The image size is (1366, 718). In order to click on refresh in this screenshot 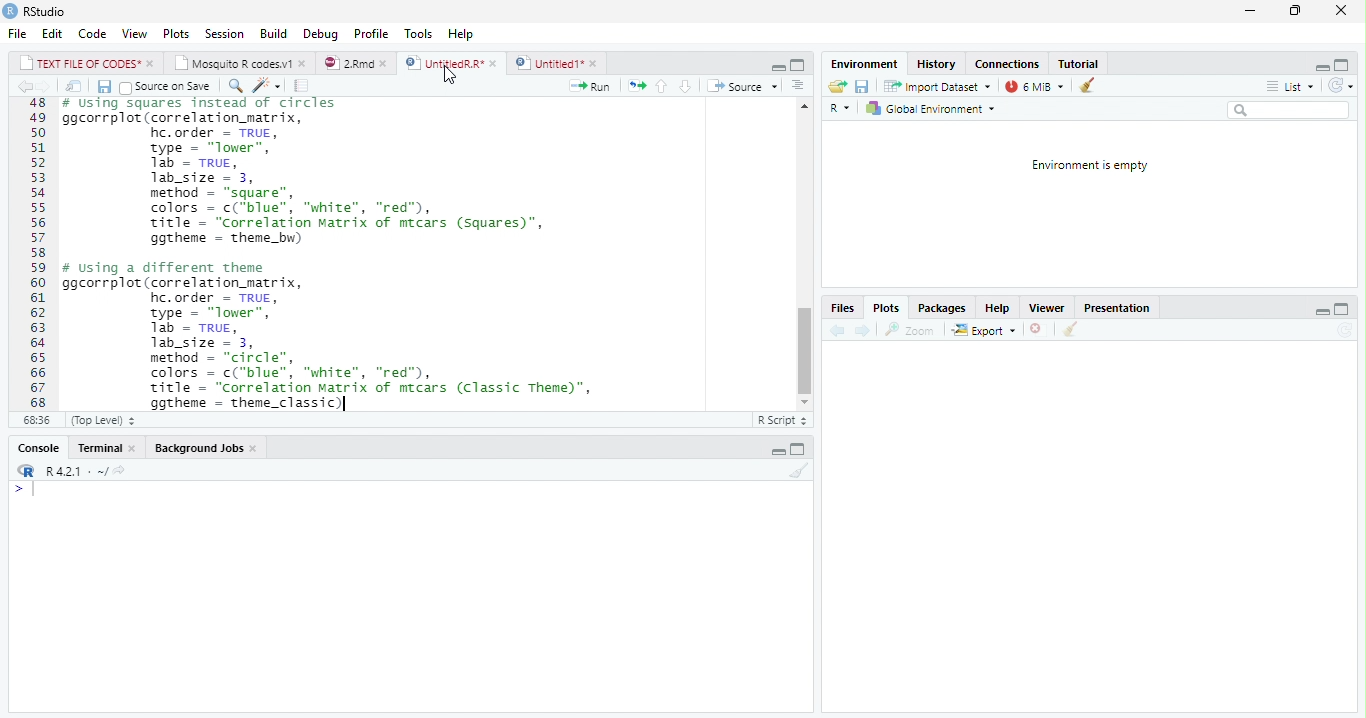, I will do `click(1347, 87)`.